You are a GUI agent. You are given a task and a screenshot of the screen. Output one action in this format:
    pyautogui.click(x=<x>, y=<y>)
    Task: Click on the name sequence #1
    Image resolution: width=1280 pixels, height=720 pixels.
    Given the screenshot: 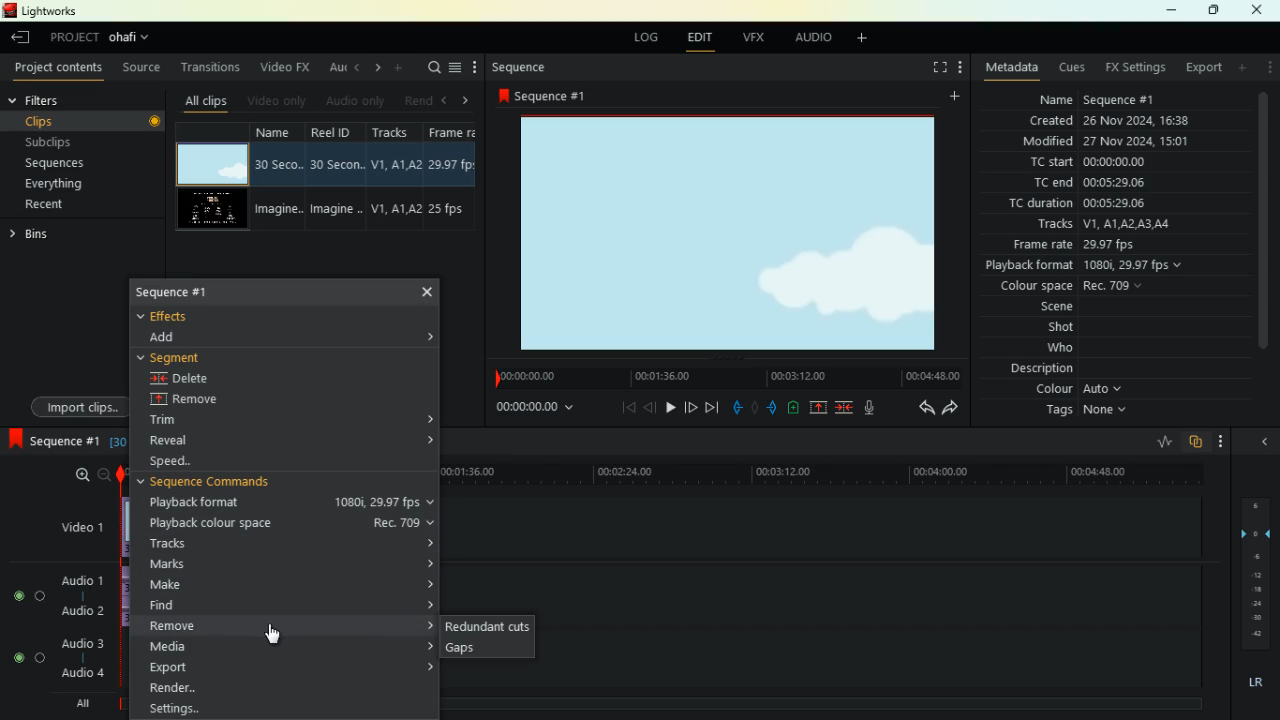 What is the action you would take?
    pyautogui.click(x=1094, y=99)
    